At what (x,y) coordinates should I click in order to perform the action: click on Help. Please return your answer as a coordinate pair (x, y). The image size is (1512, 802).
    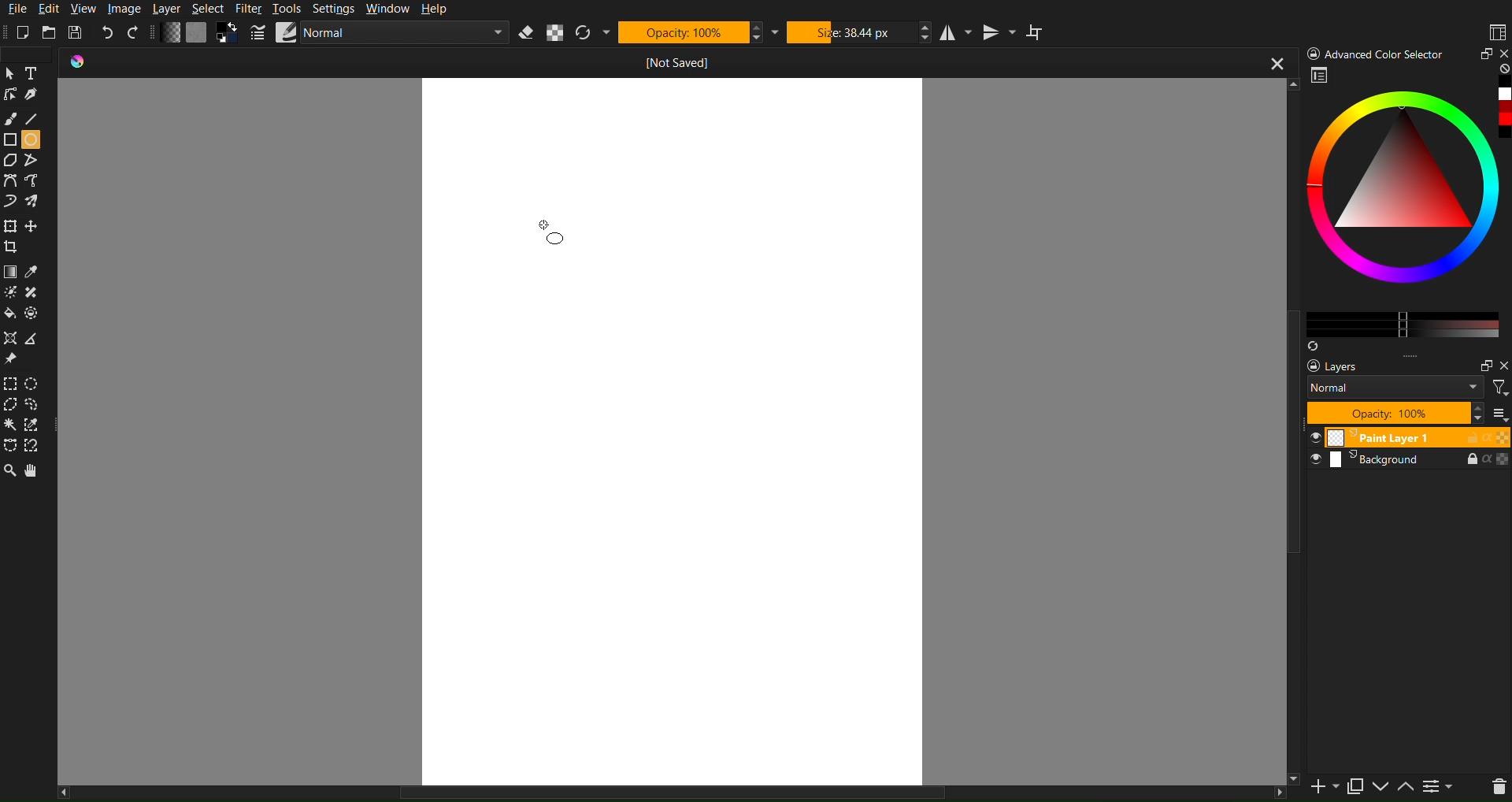
    Looking at the image, I should click on (439, 9).